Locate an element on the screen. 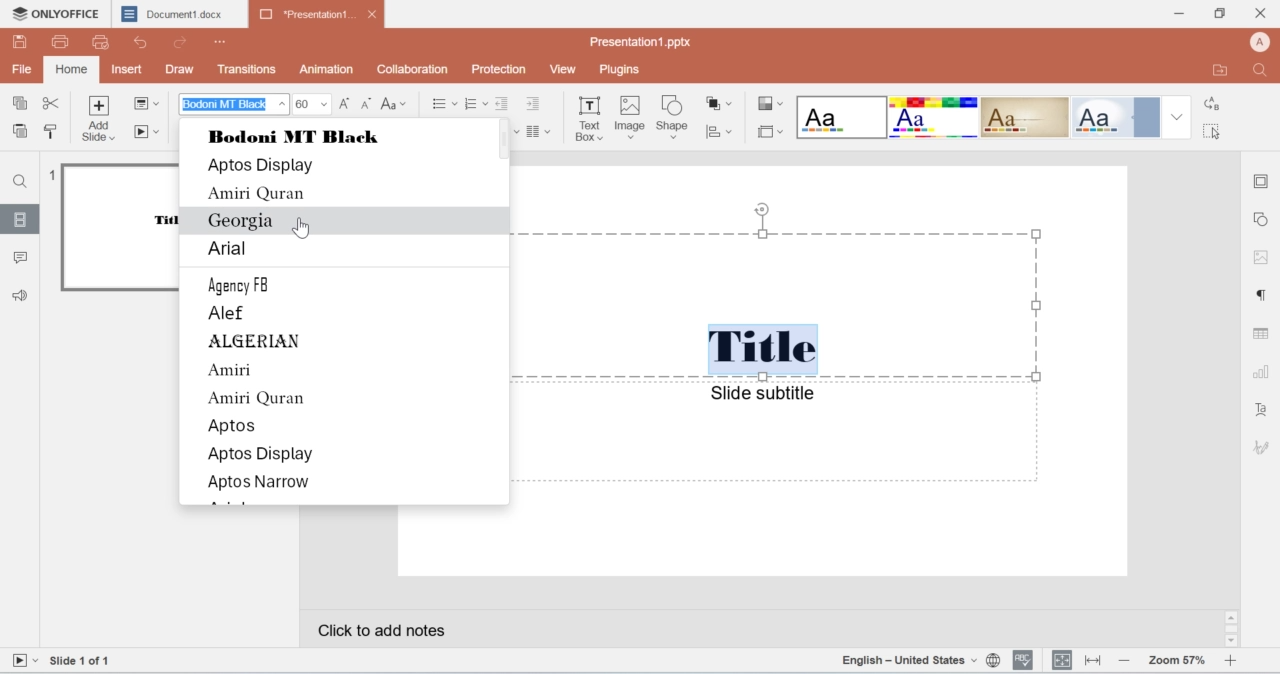 Image resolution: width=1280 pixels, height=674 pixels. add slide is located at coordinates (101, 120).